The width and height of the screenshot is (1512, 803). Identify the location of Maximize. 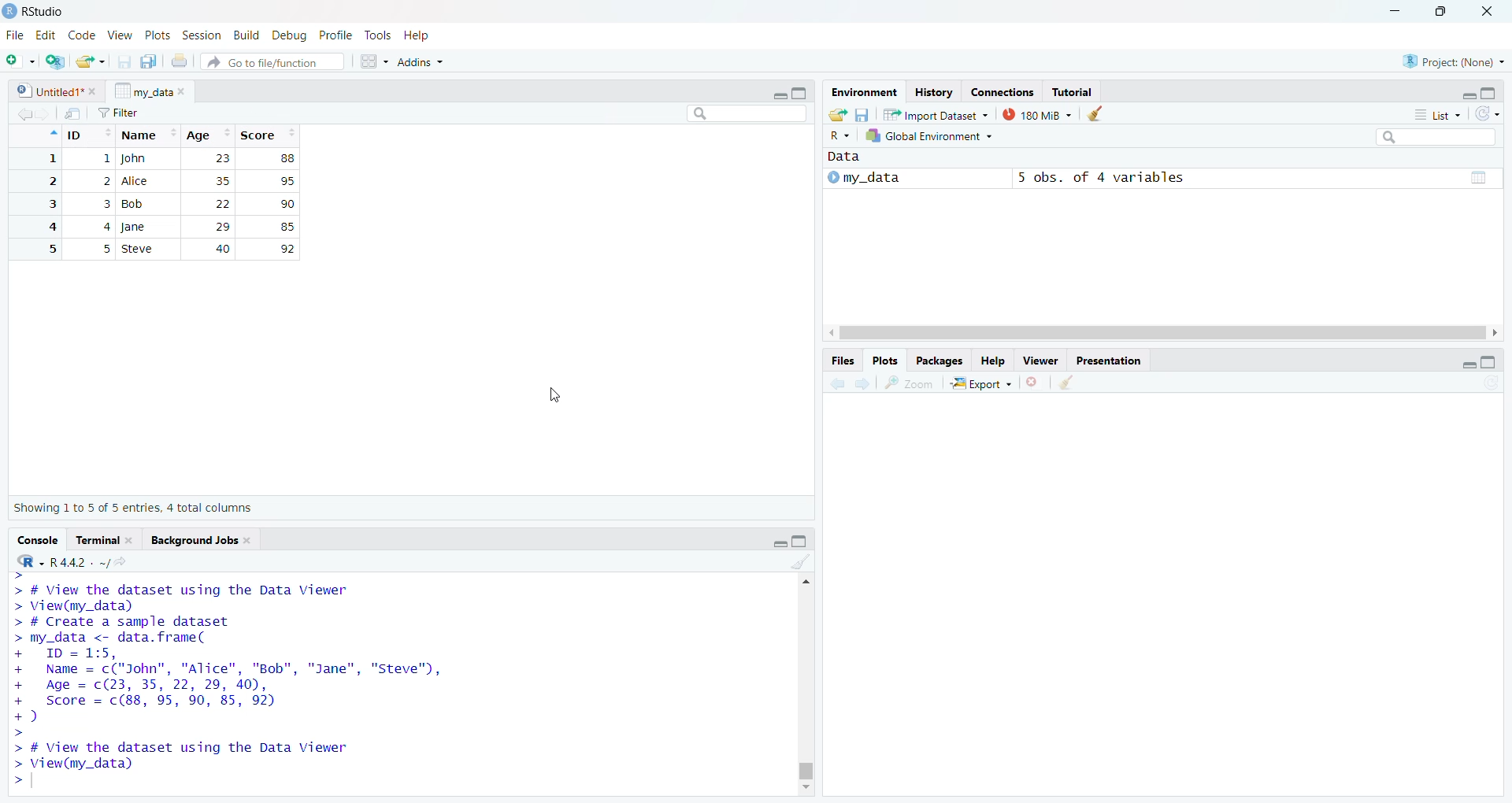
(1492, 364).